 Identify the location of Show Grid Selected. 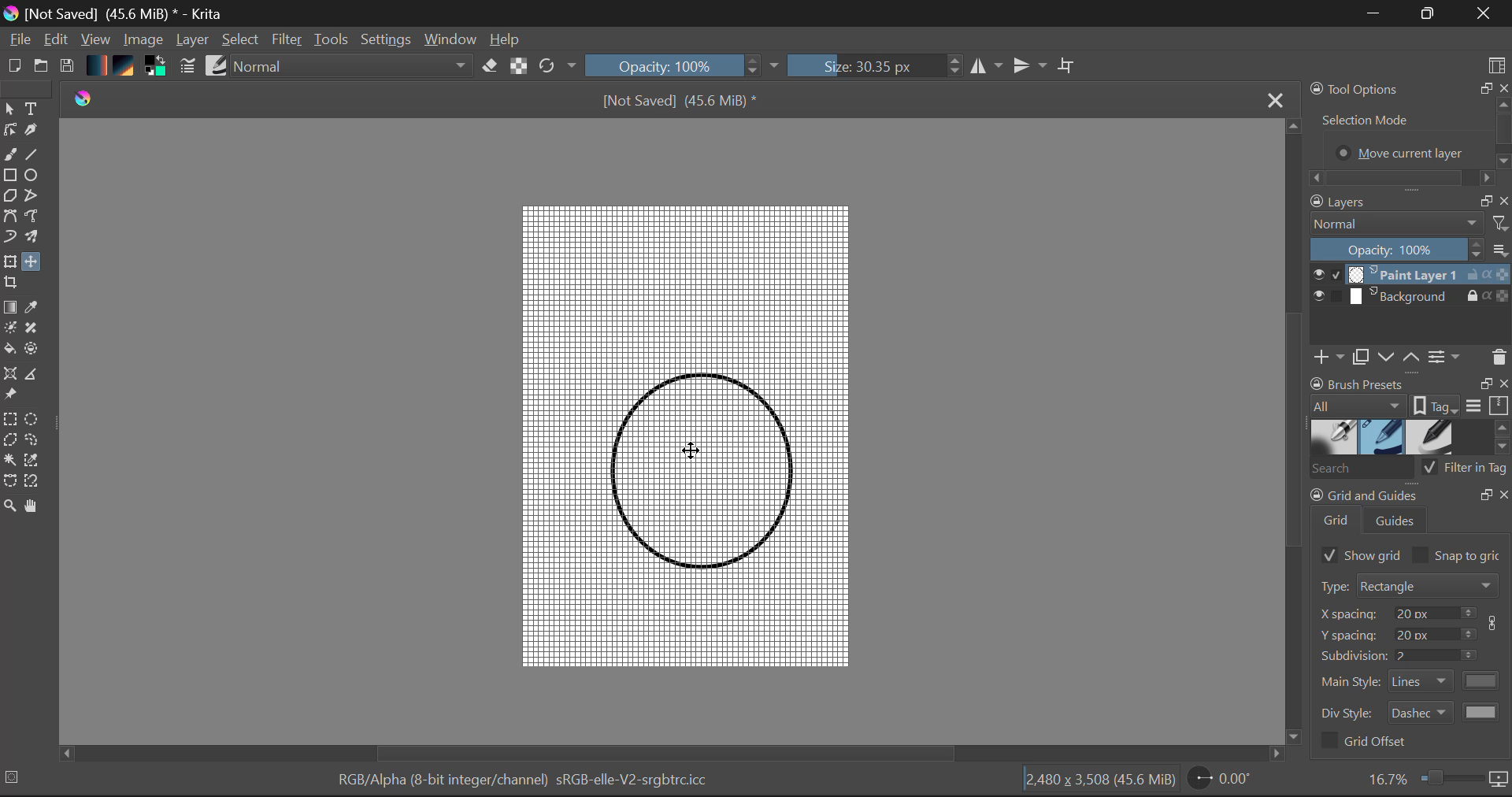
(1357, 554).